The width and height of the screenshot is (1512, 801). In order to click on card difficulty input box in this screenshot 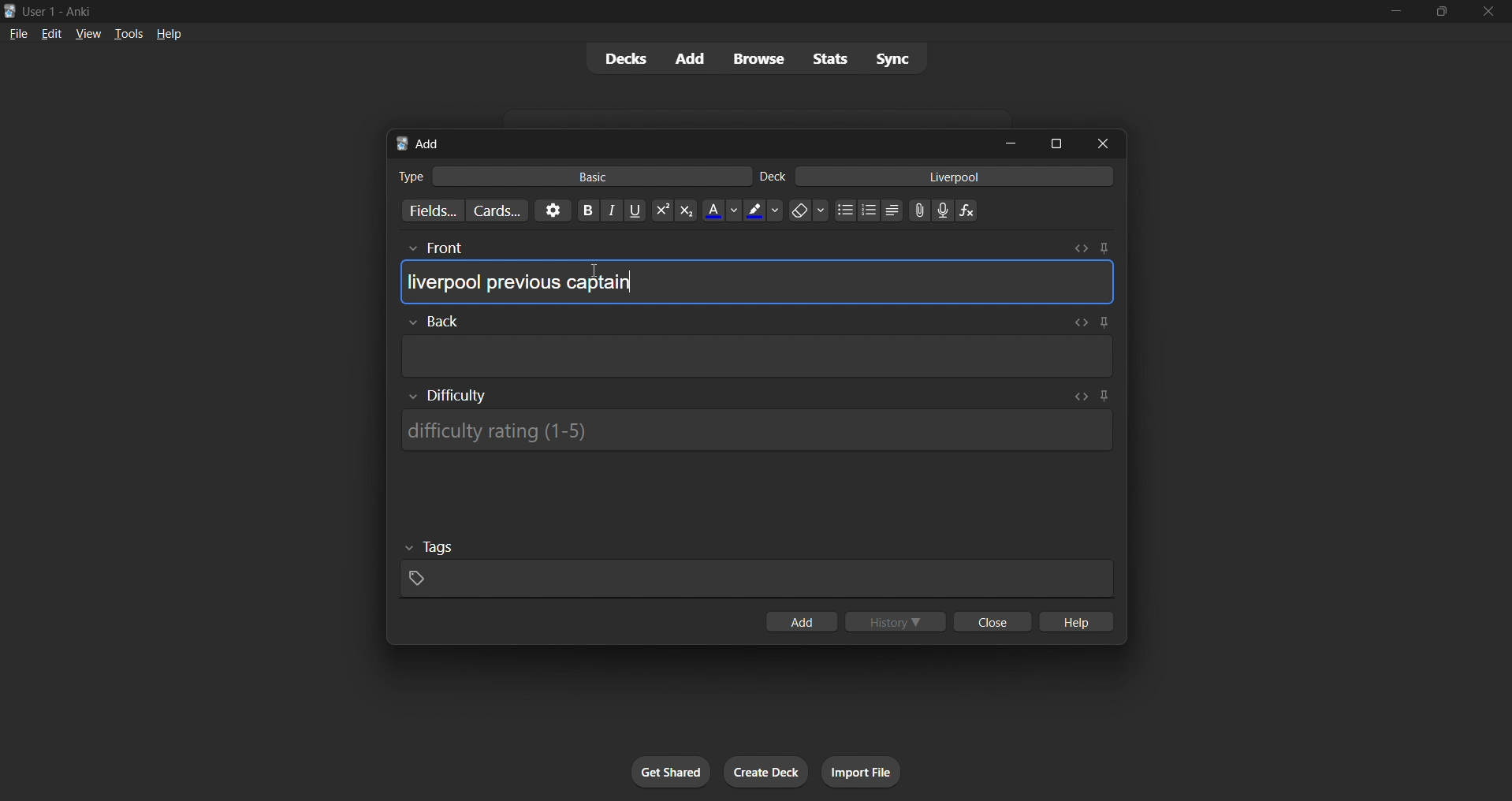, I will do `click(759, 426)`.